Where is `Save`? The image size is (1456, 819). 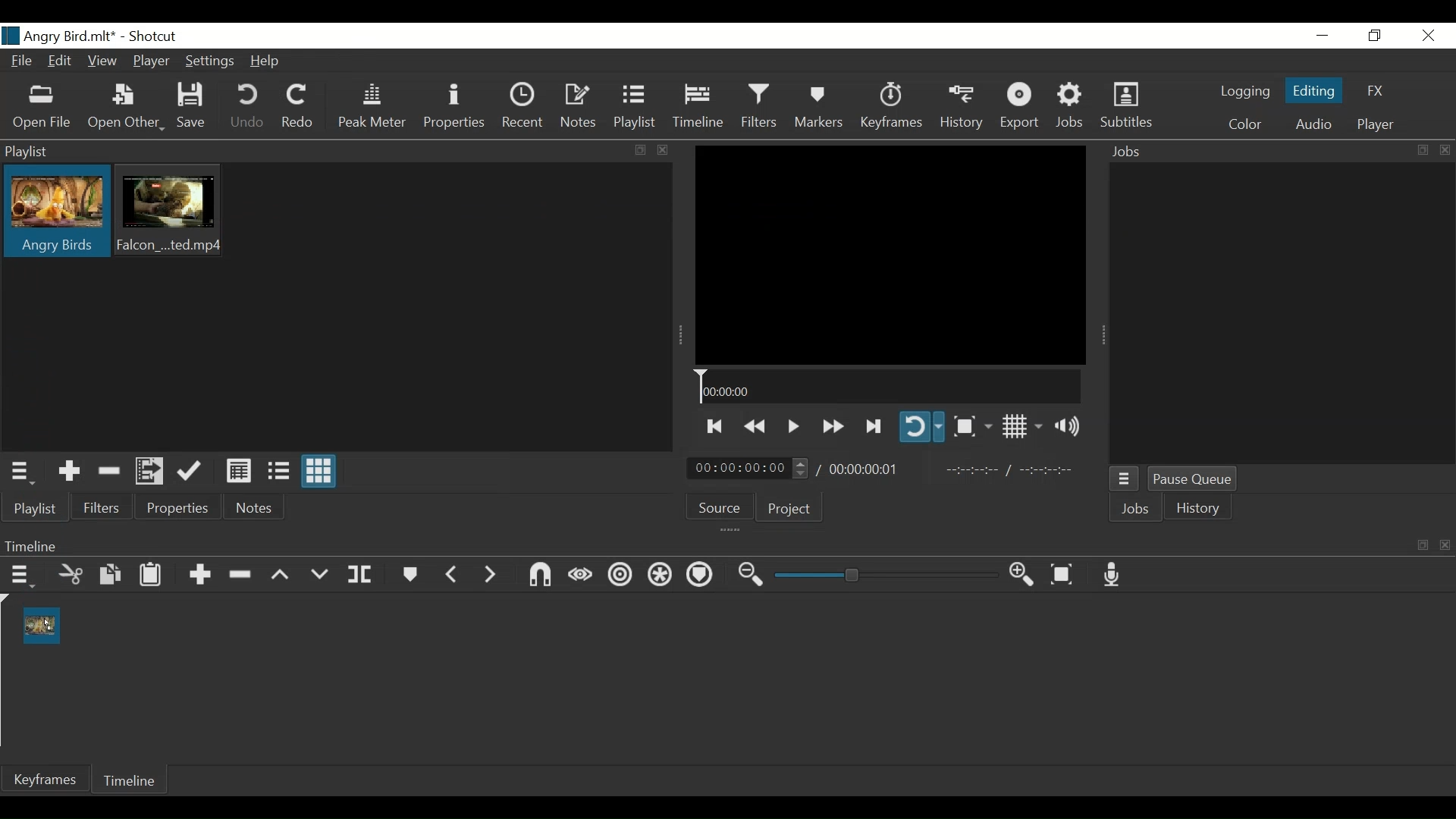 Save is located at coordinates (196, 108).